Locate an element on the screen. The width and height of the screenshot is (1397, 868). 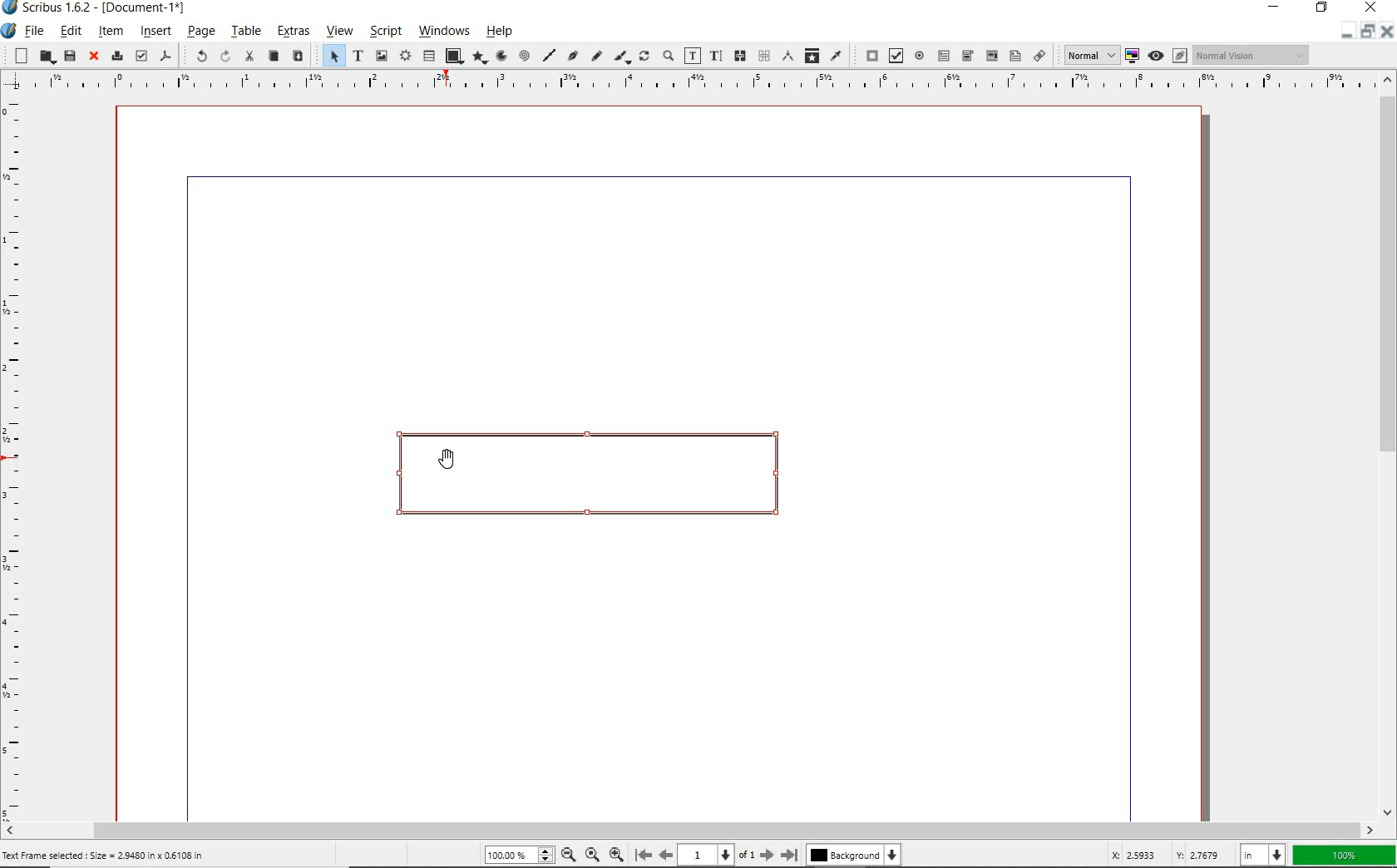
Cursor is located at coordinates (450, 461).